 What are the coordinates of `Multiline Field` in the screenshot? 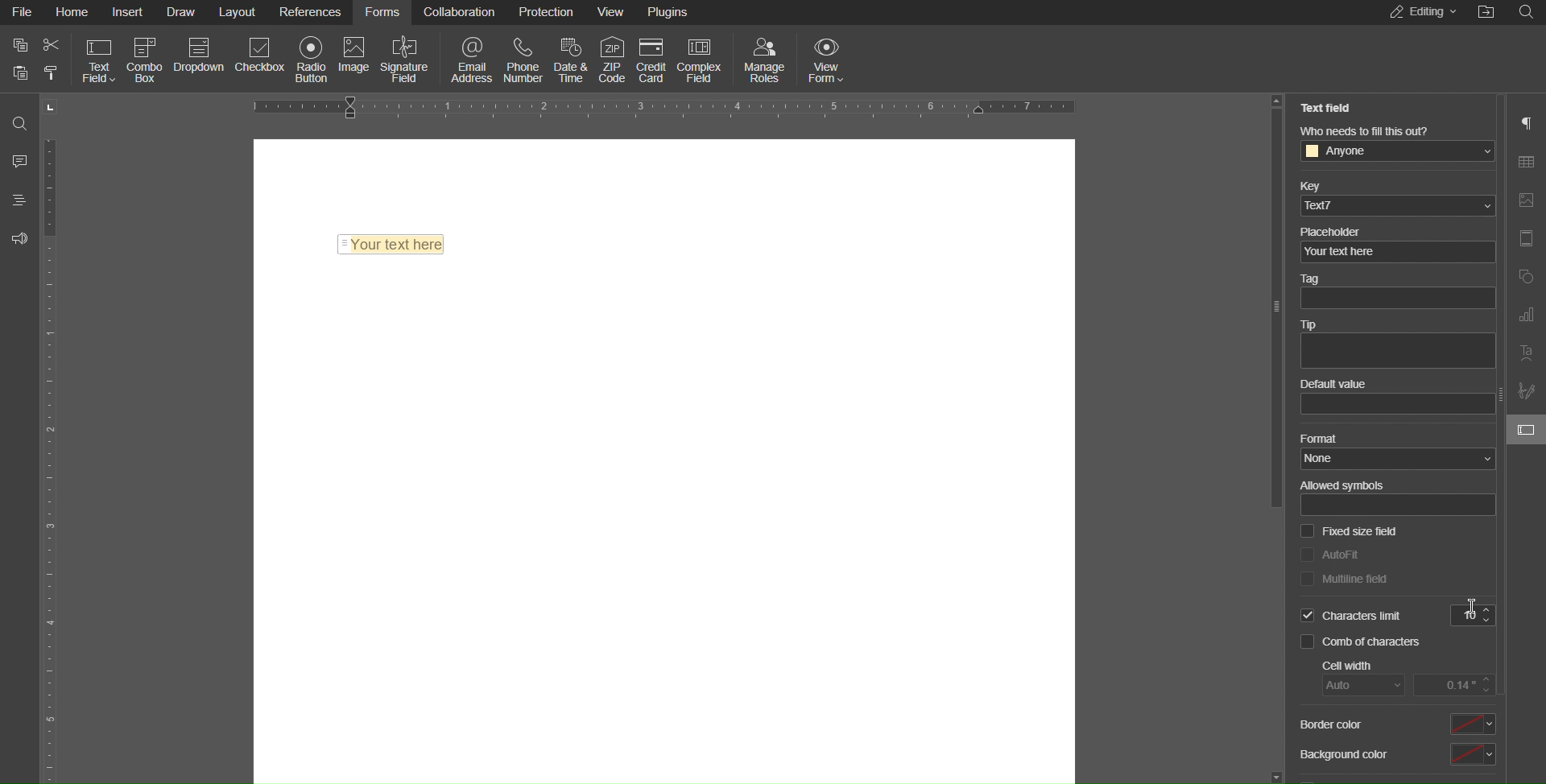 It's located at (1344, 580).